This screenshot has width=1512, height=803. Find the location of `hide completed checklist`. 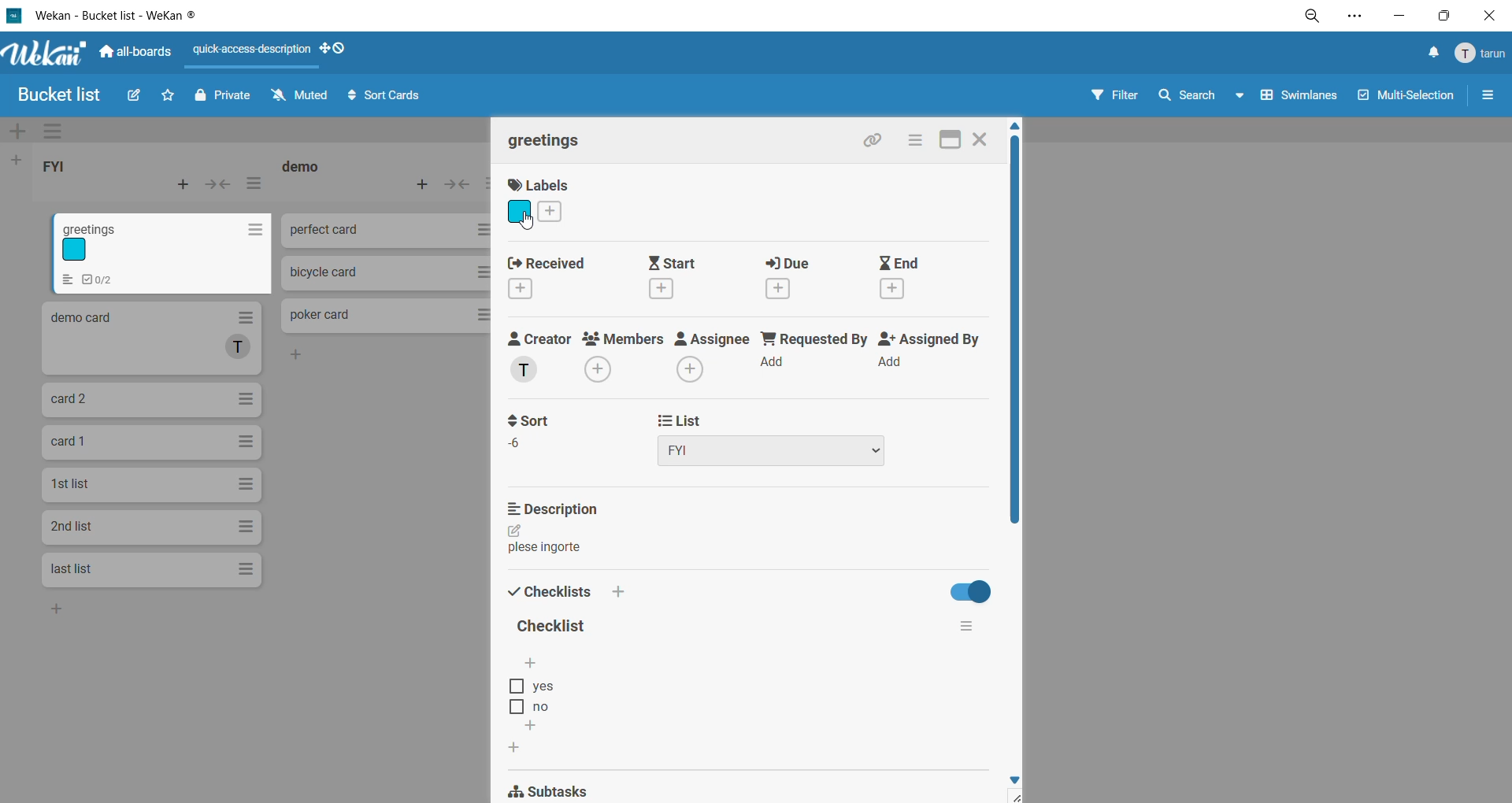

hide completed checklist is located at coordinates (971, 590).